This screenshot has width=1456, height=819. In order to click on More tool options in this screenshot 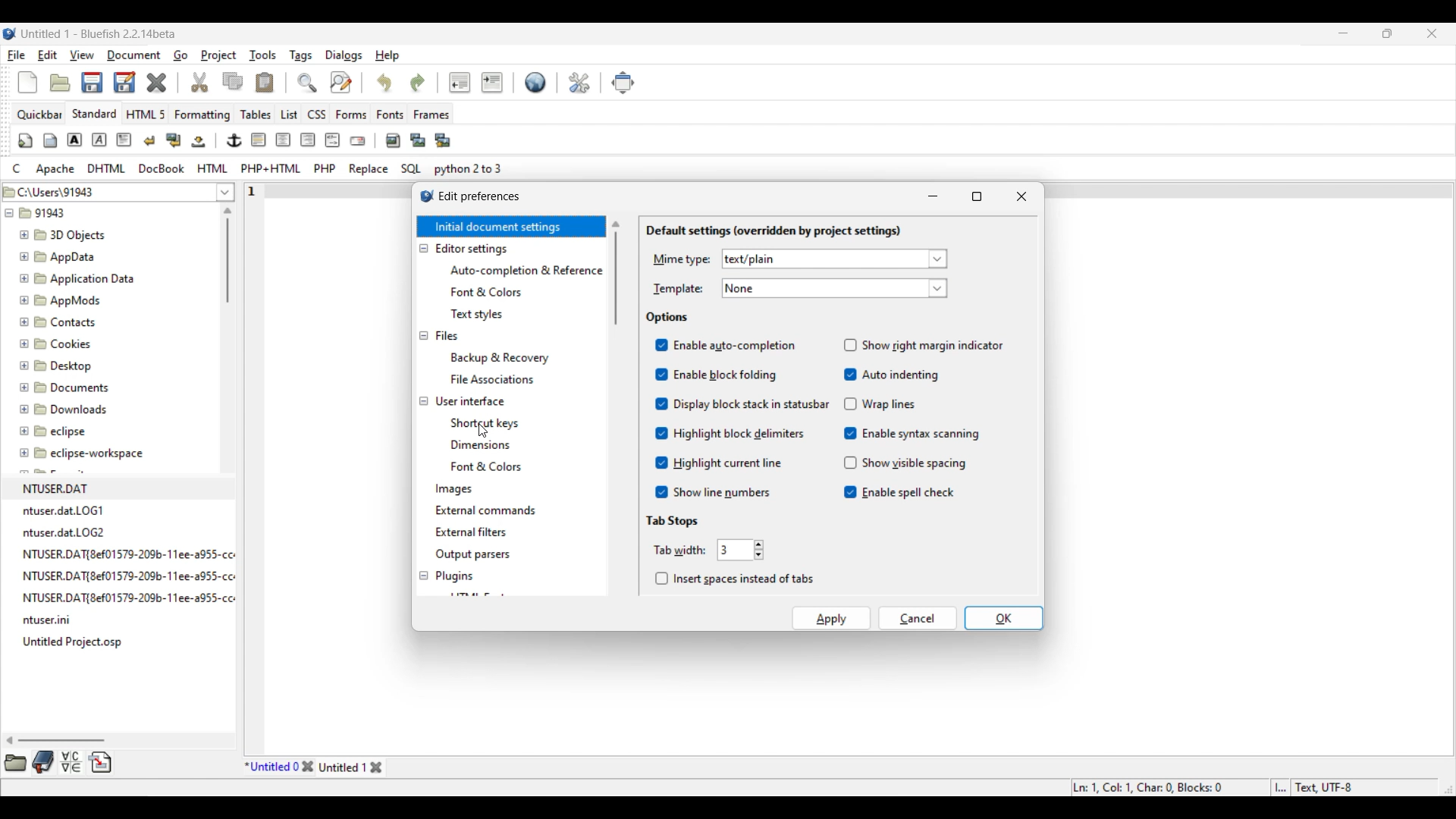, I will do `click(58, 762)`.